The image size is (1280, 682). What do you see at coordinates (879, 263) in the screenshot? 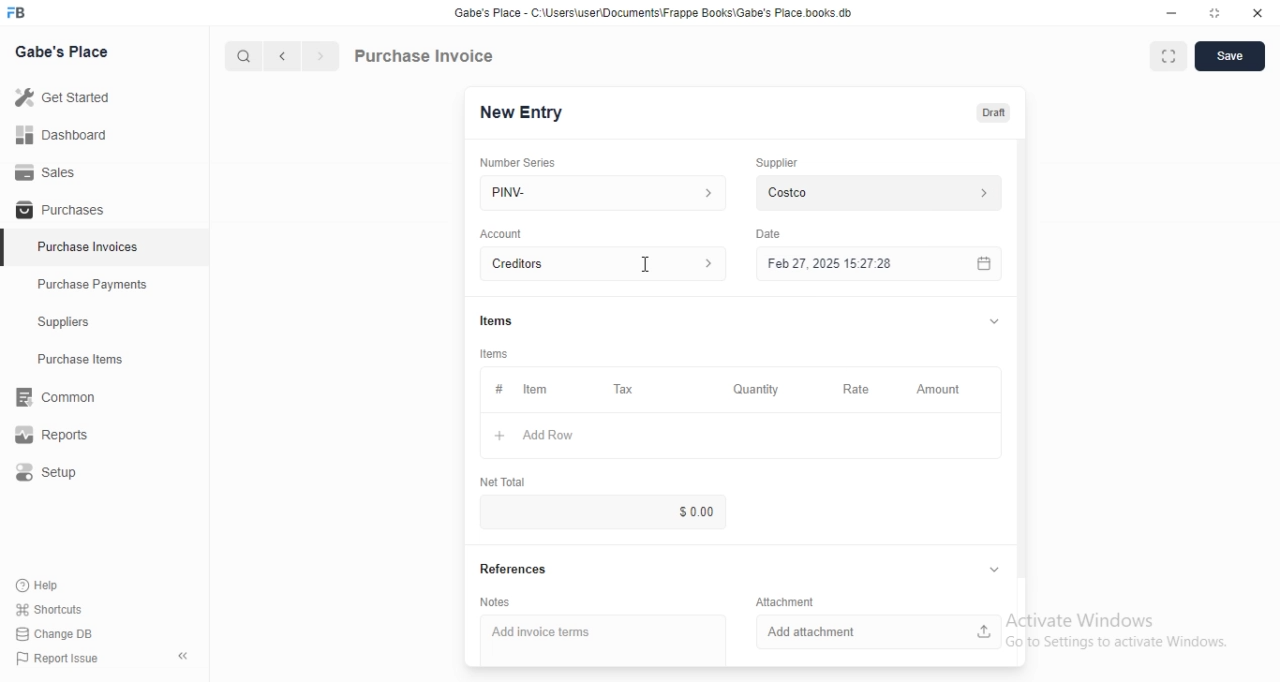
I see `Feb 27, 2025 15:27:28` at bounding box center [879, 263].